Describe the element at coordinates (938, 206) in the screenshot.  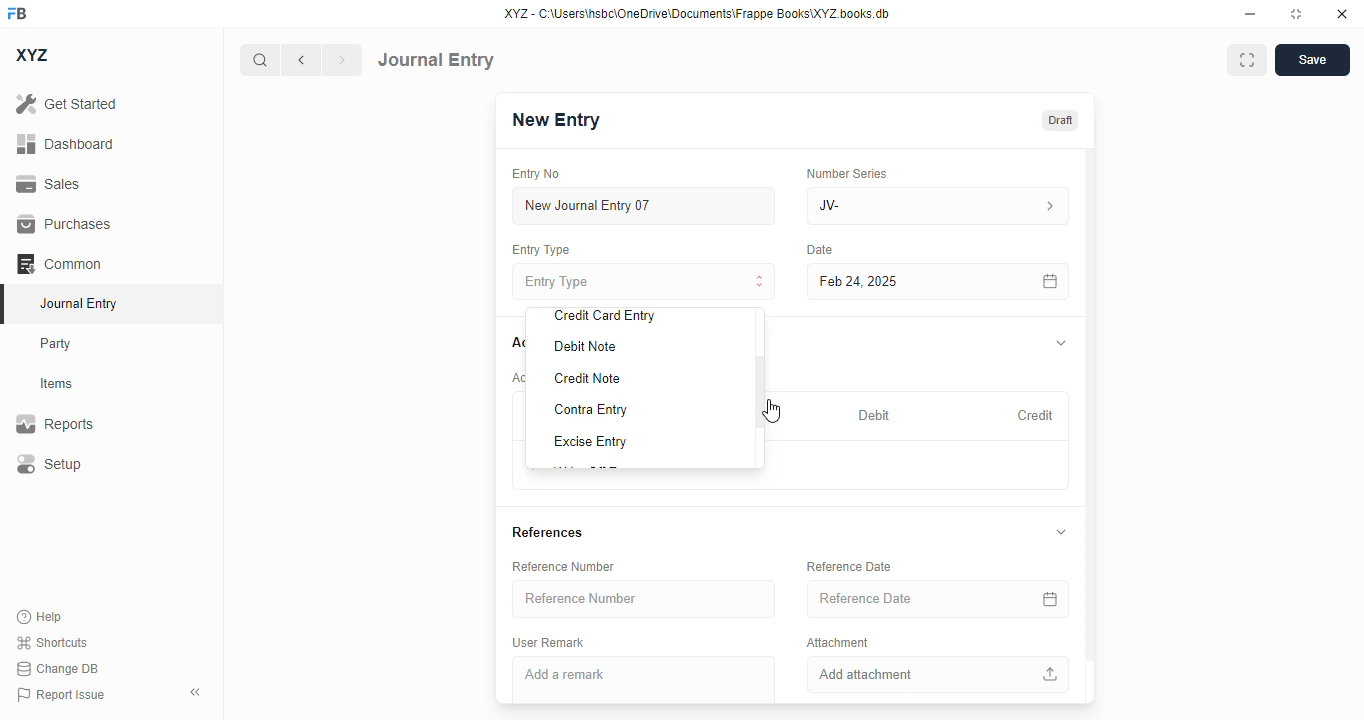
I see `JV-` at that location.